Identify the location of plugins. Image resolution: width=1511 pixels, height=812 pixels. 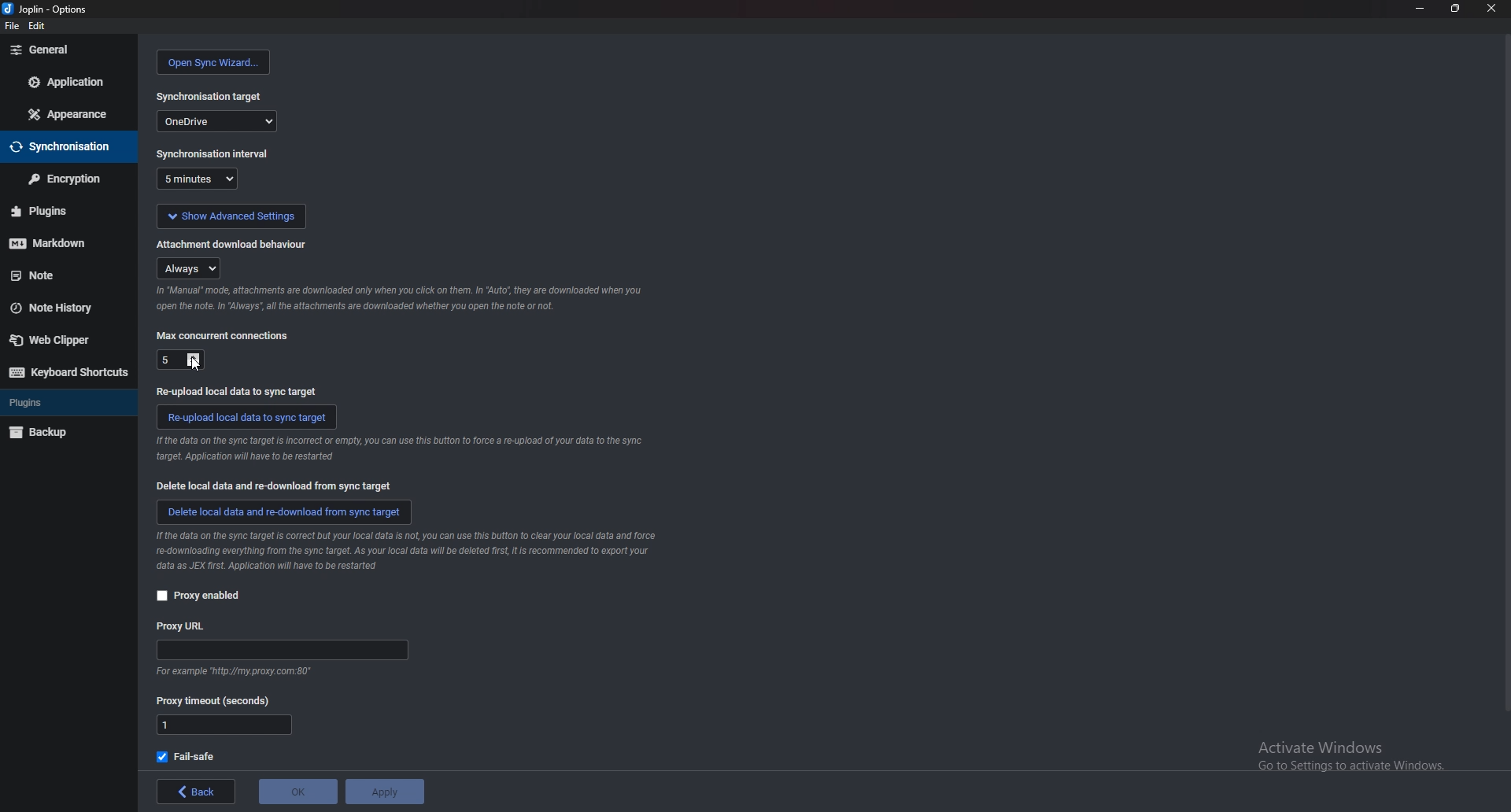
(60, 213).